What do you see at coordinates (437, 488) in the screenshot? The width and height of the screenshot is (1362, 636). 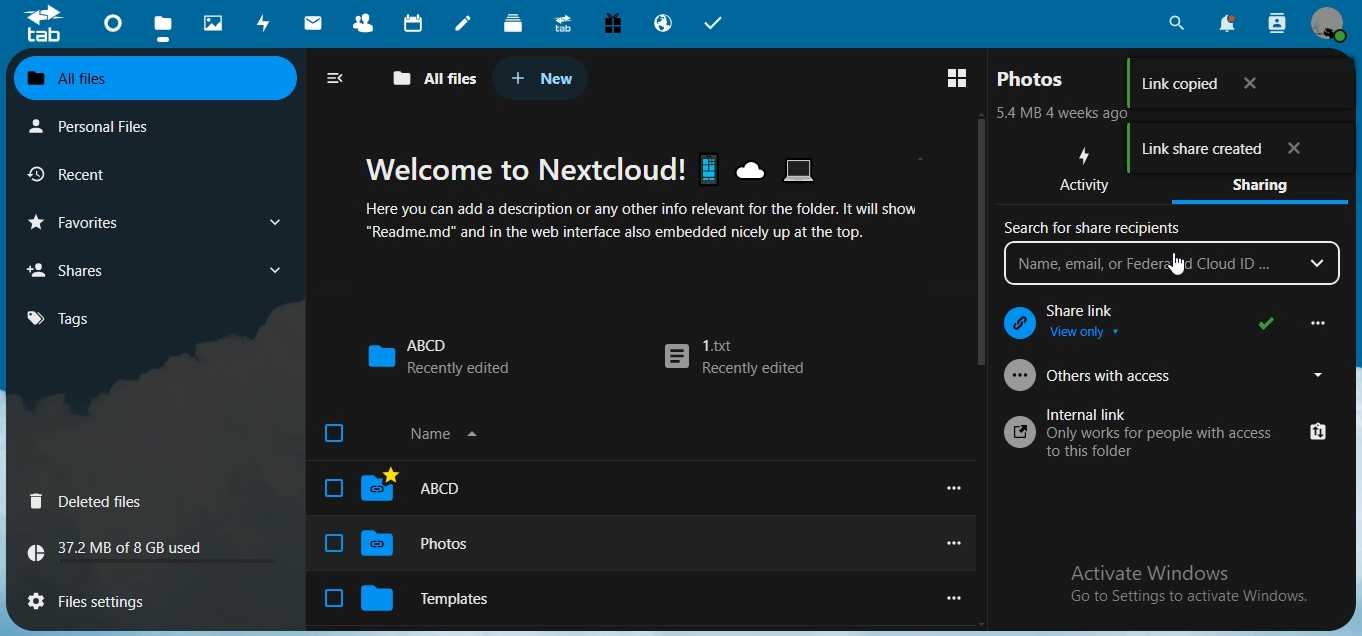 I see `ABCD` at bounding box center [437, 488].